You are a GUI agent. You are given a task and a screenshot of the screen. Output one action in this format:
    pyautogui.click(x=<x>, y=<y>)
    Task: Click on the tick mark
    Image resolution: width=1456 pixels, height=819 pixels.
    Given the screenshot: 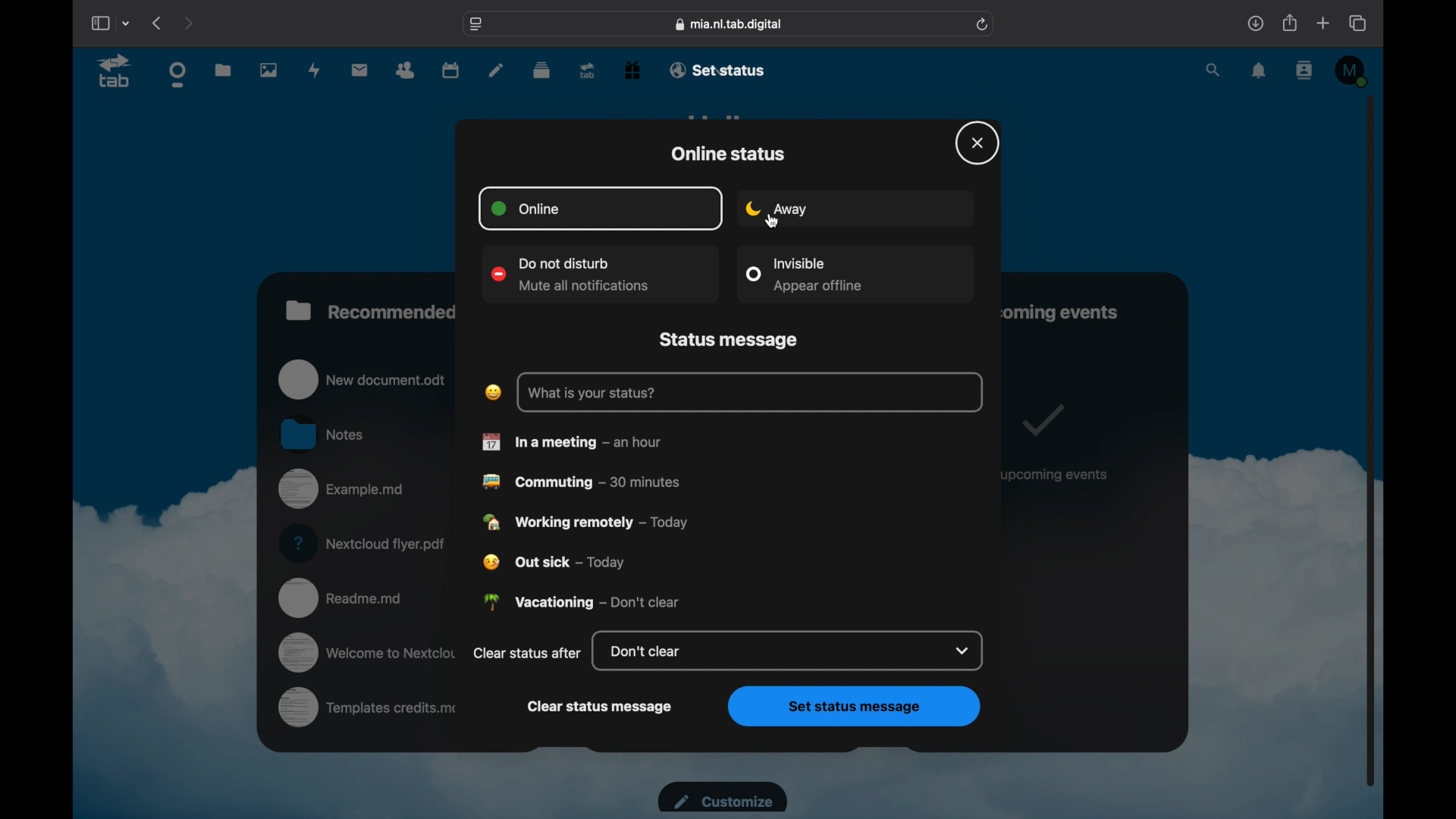 What is the action you would take?
    pyautogui.click(x=1040, y=419)
    